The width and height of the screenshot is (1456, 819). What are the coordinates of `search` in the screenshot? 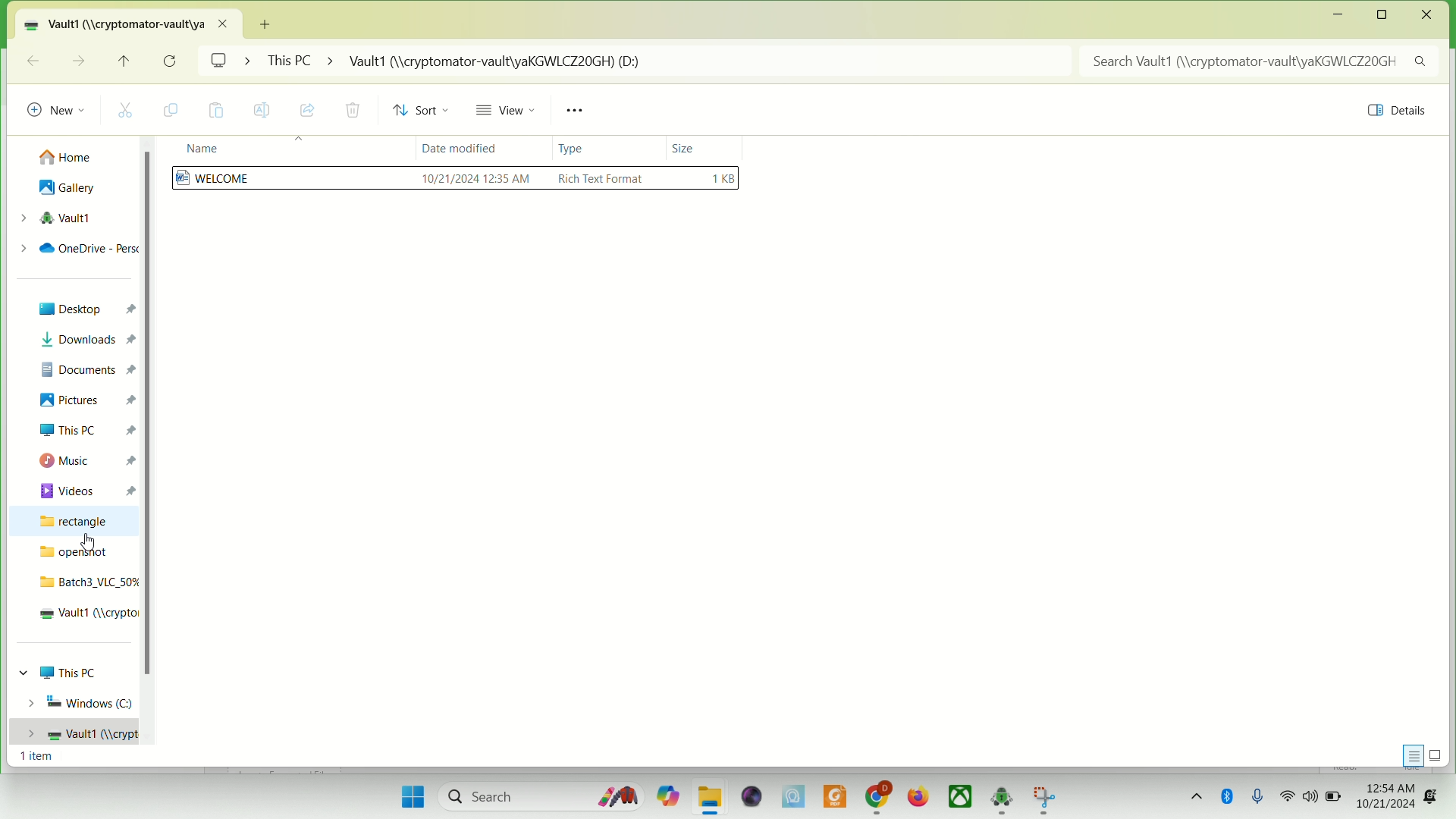 It's located at (542, 797).